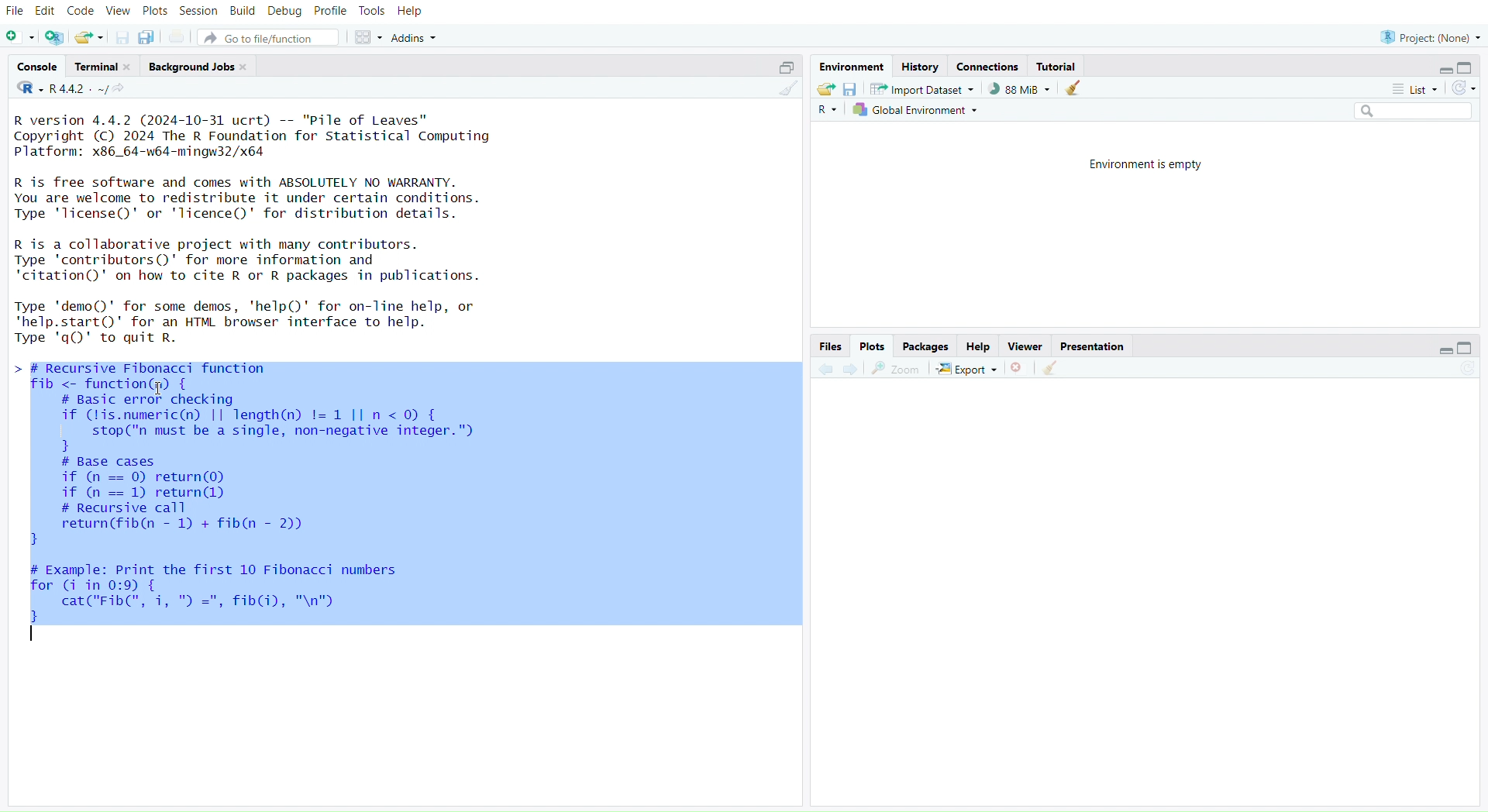 The image size is (1488, 812). Describe the element at coordinates (411, 12) in the screenshot. I see `help` at that location.